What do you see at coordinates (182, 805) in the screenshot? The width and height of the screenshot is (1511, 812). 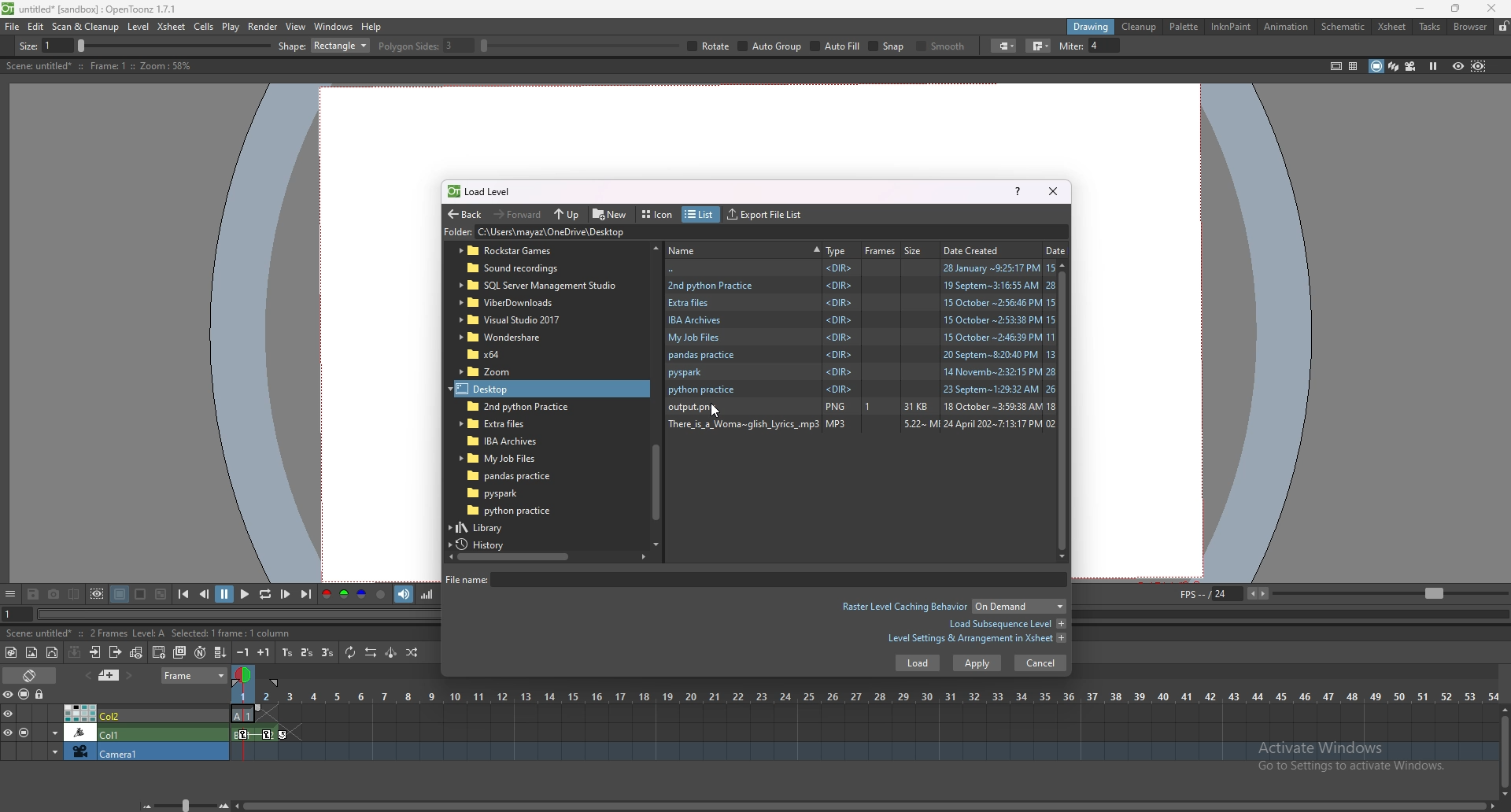 I see `zoom` at bounding box center [182, 805].